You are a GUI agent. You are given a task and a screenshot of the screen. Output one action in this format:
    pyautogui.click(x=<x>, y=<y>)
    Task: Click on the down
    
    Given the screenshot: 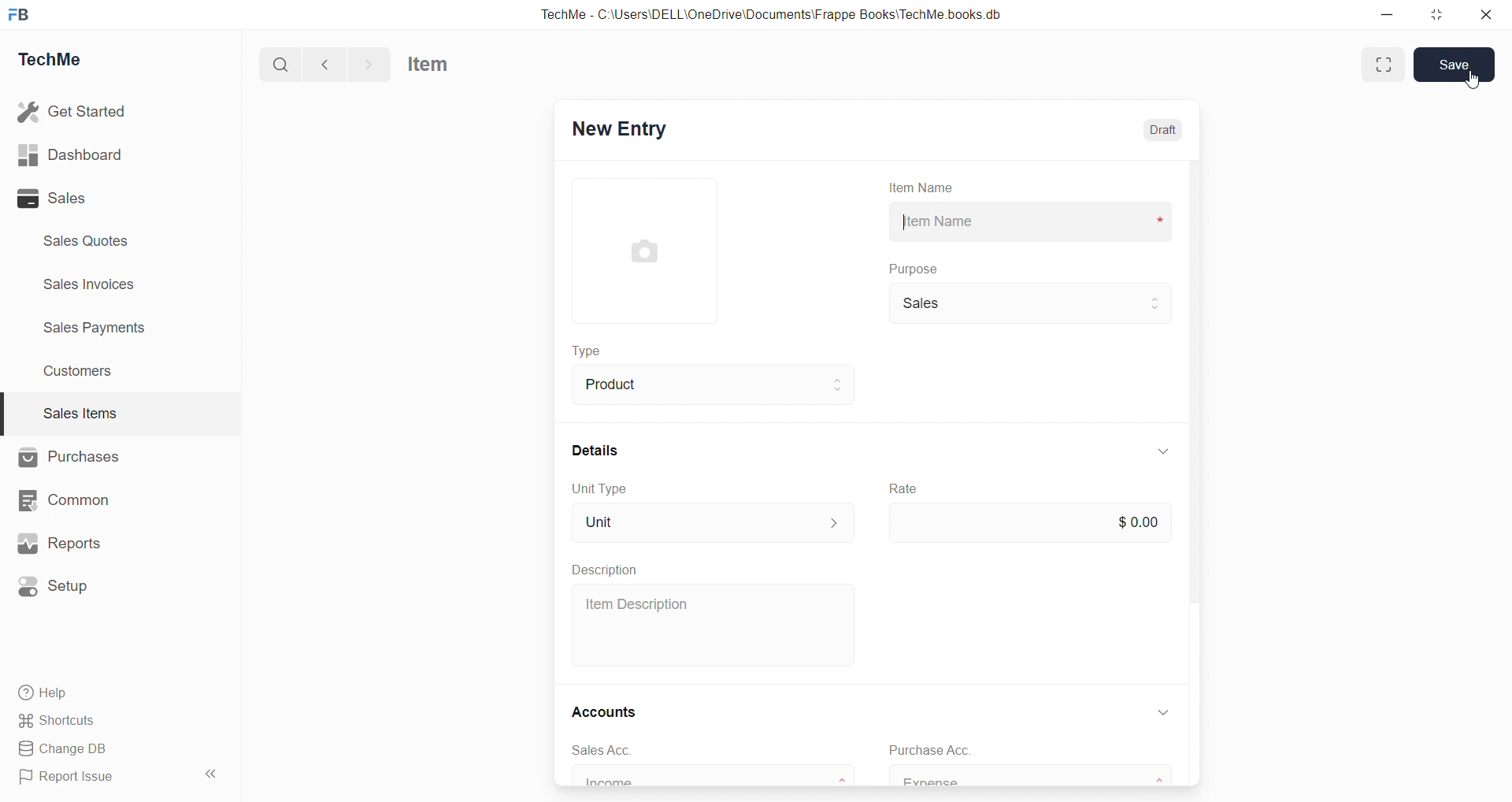 What is the action you would take?
    pyautogui.click(x=1162, y=452)
    